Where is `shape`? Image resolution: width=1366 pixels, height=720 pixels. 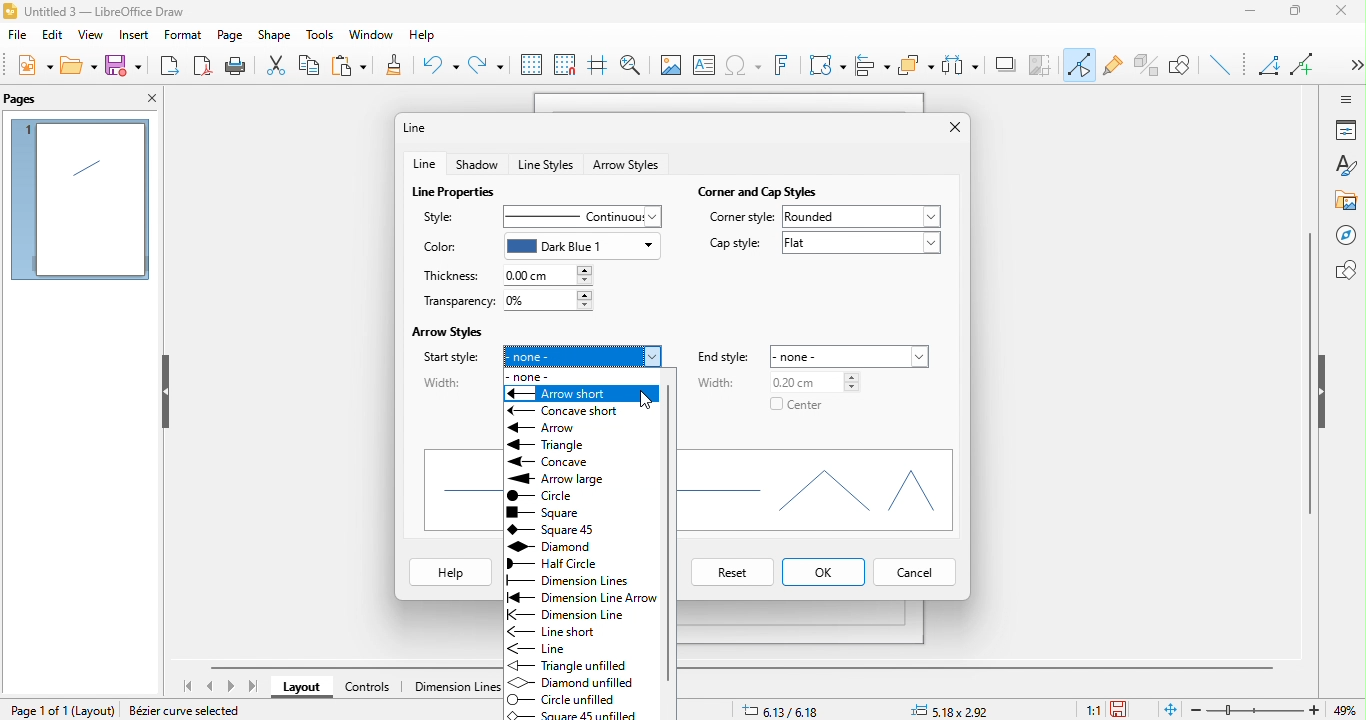
shape is located at coordinates (275, 36).